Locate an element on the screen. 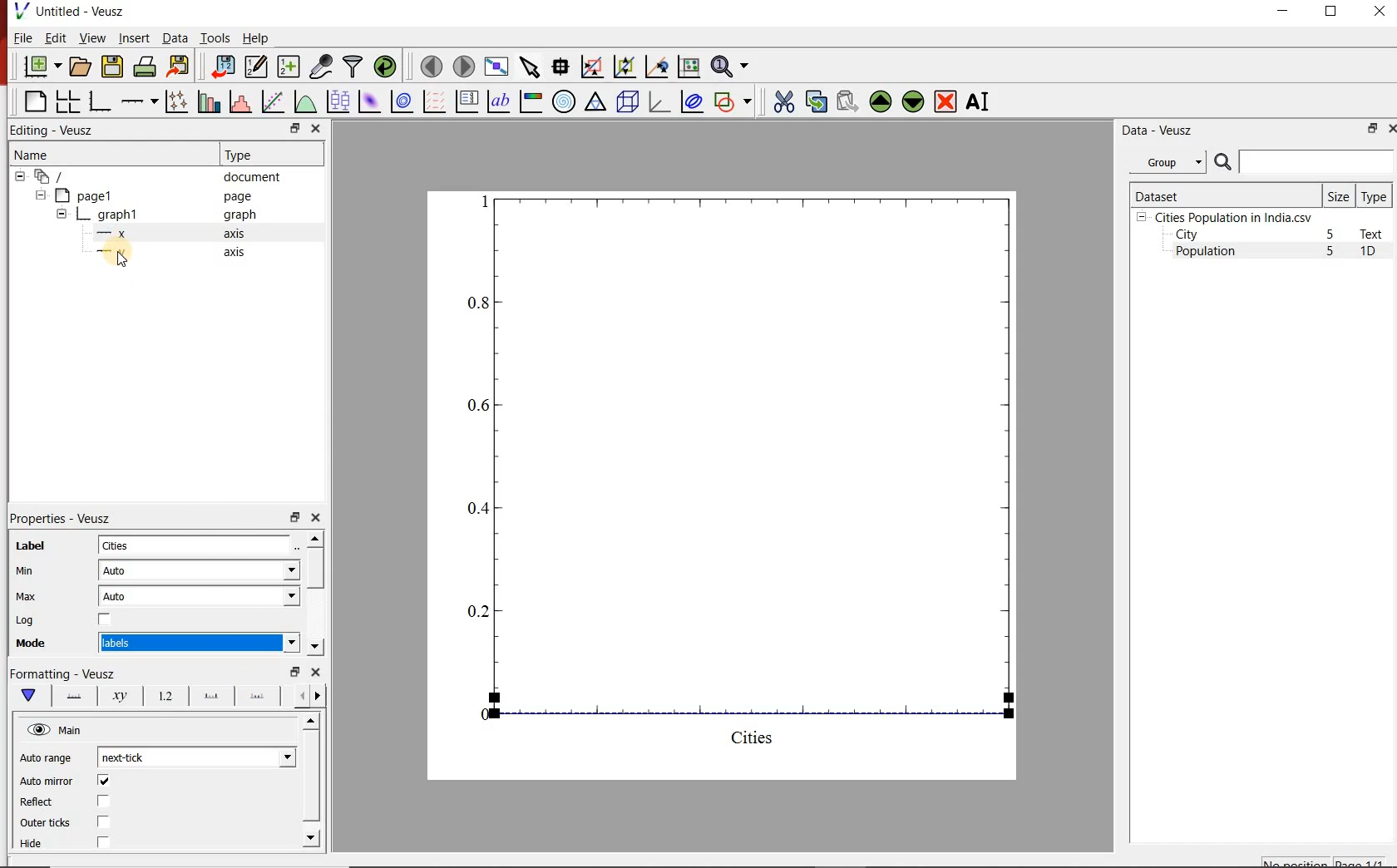  cut the selected widget is located at coordinates (781, 101).